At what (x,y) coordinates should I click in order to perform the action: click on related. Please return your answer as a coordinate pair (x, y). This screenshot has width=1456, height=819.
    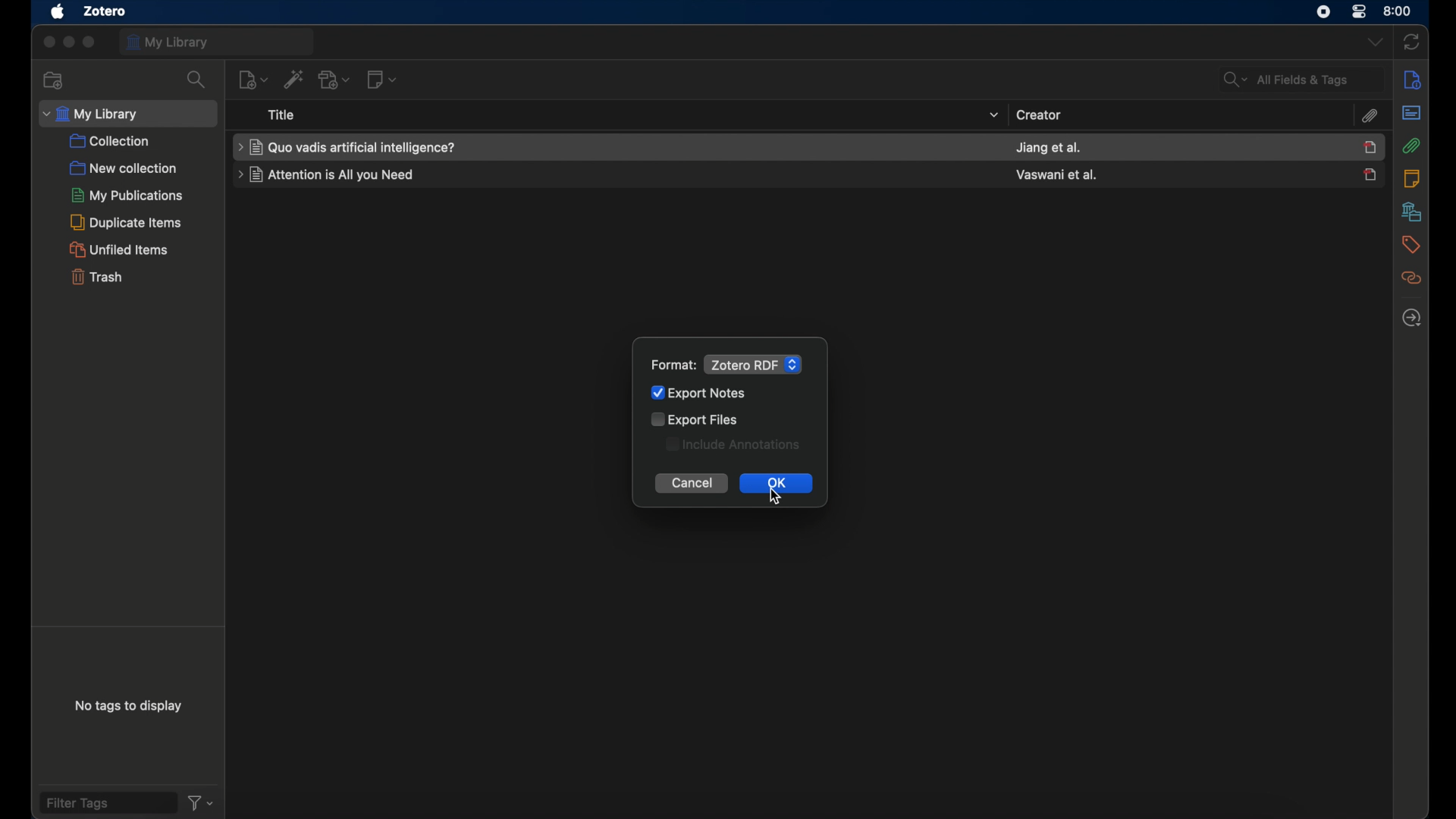
    Looking at the image, I should click on (1410, 279).